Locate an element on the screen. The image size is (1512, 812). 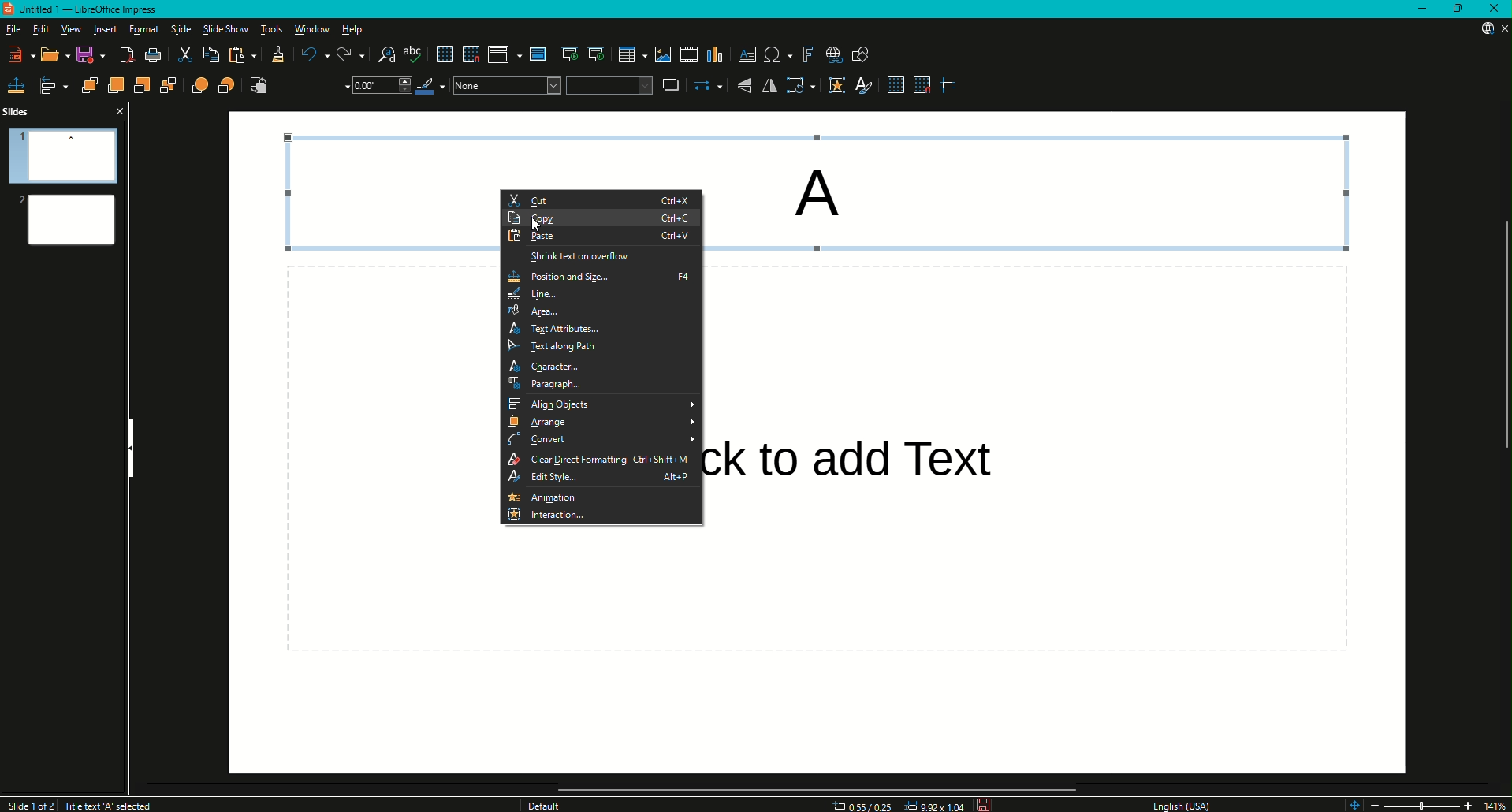
Convert is located at coordinates (605, 439).